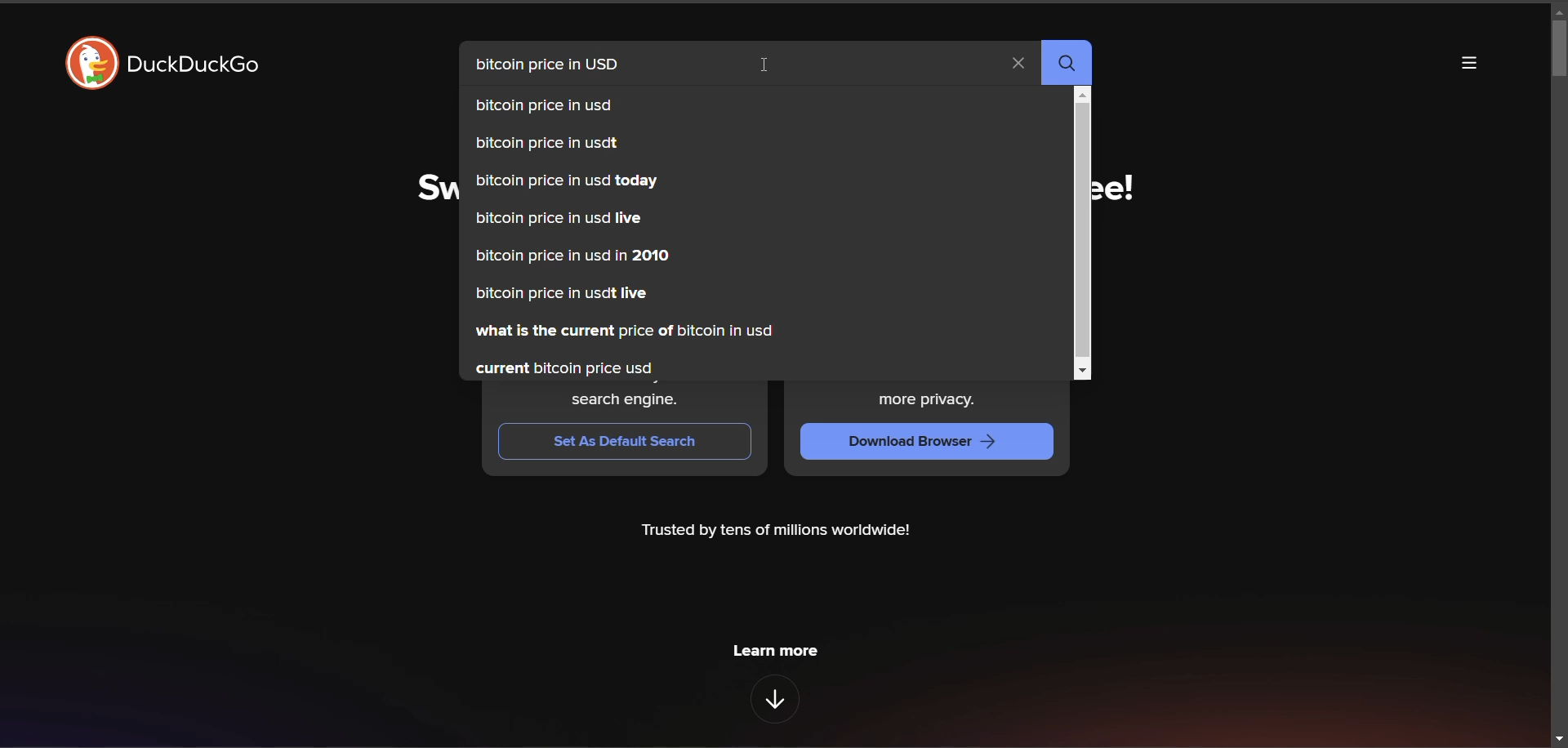  What do you see at coordinates (549, 65) in the screenshot?
I see `search term` at bounding box center [549, 65].